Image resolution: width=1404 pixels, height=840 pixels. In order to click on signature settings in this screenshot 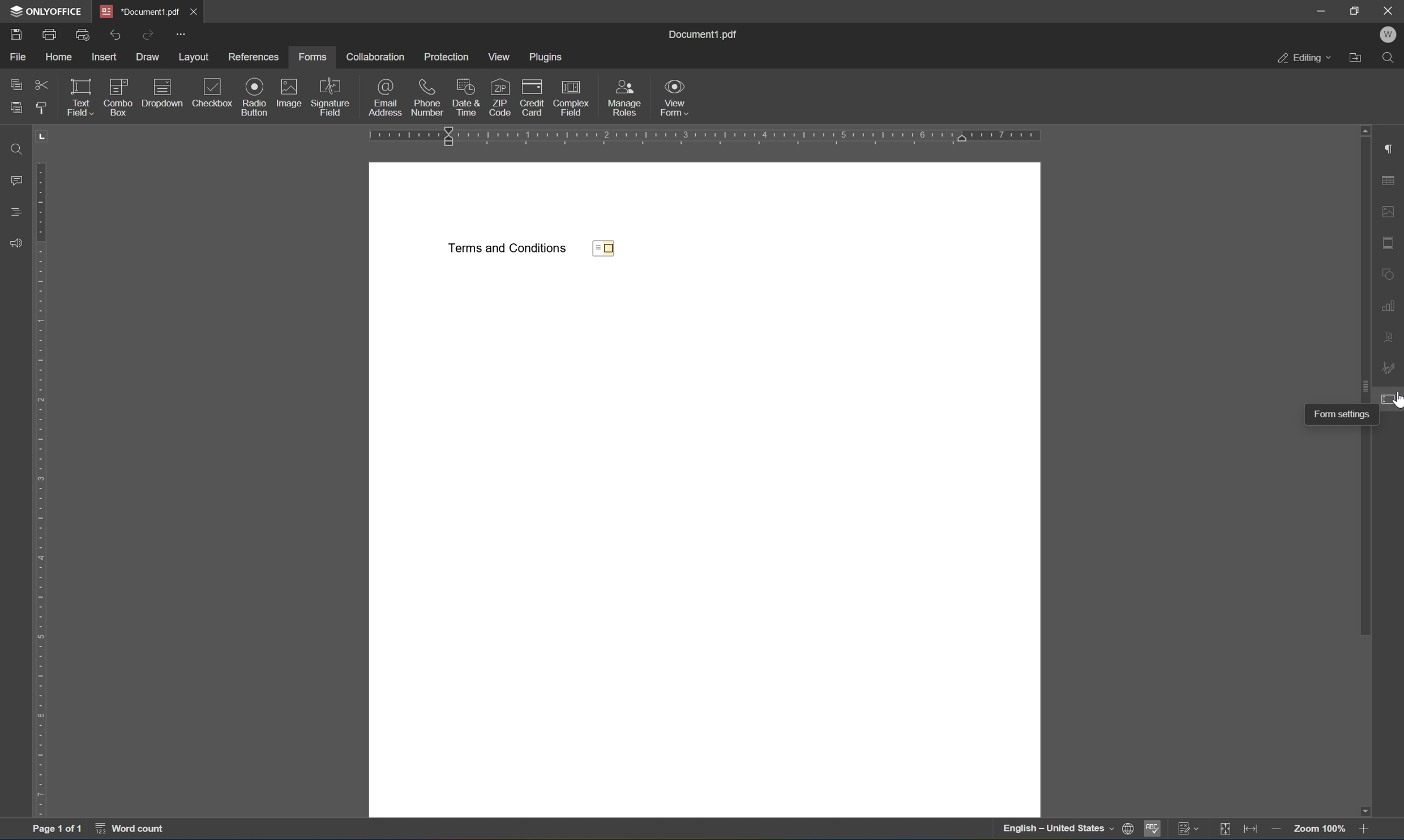, I will do `click(1390, 368)`.